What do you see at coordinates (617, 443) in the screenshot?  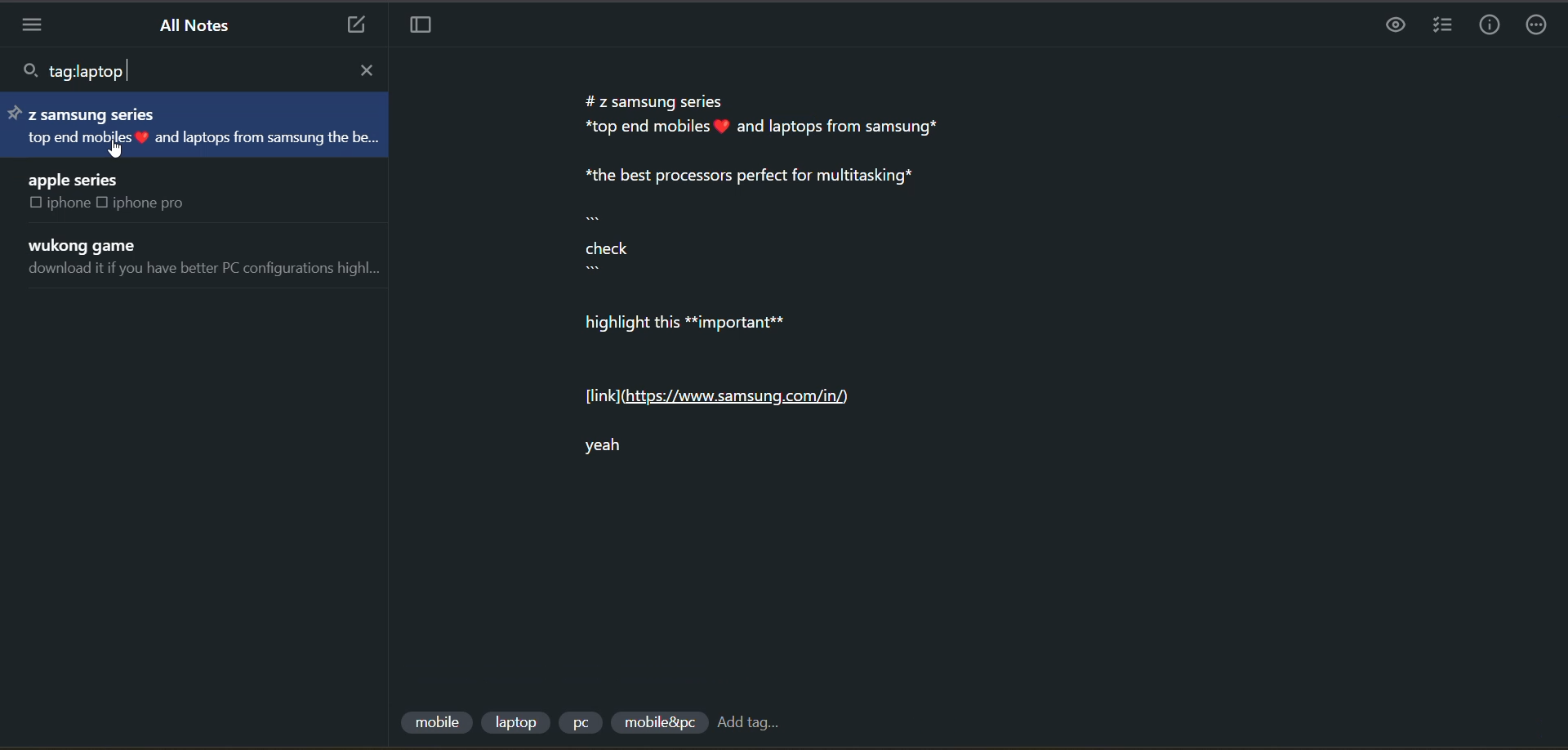 I see `yeah` at bounding box center [617, 443].